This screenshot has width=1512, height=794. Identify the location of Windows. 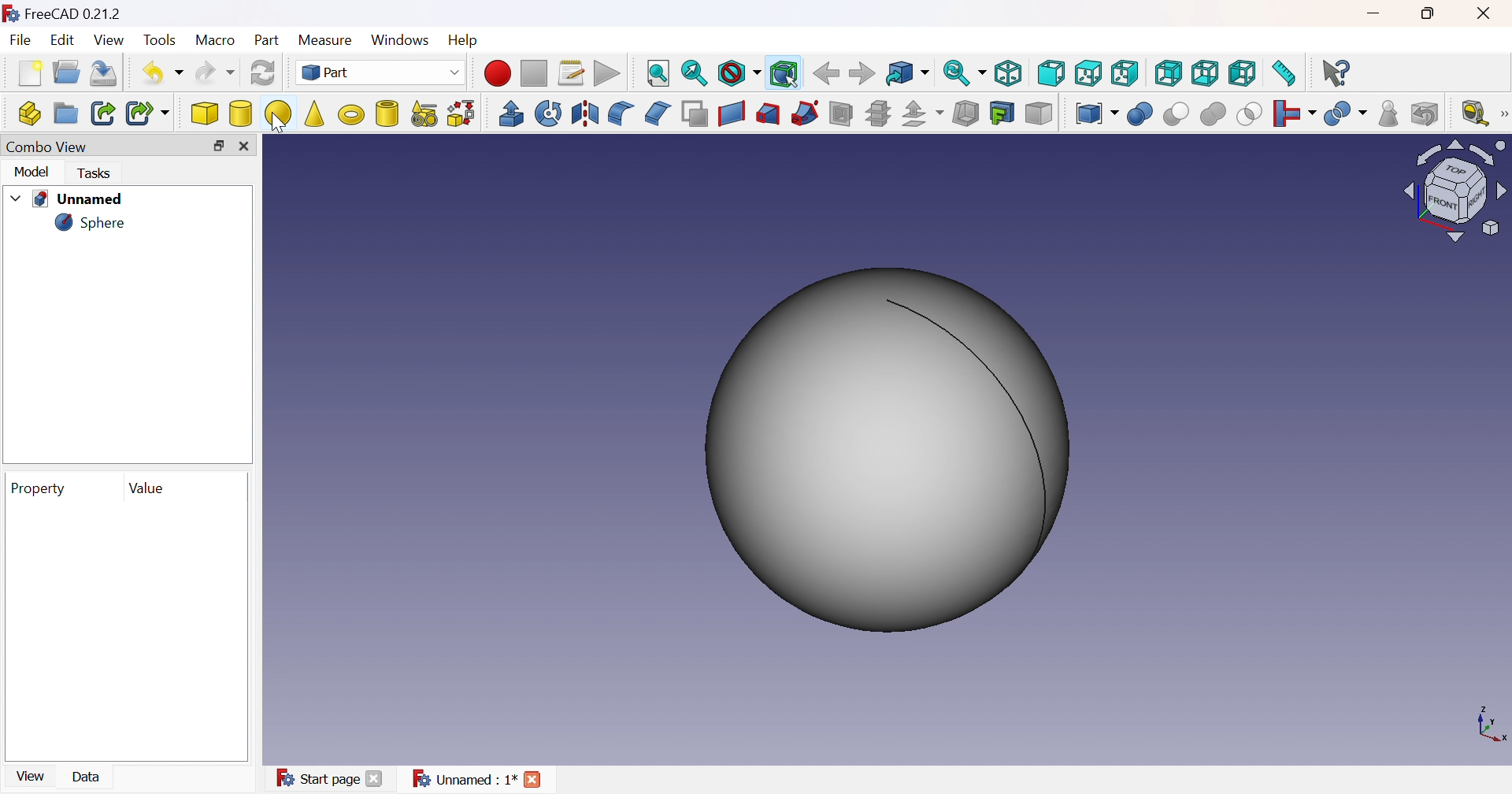
(402, 43).